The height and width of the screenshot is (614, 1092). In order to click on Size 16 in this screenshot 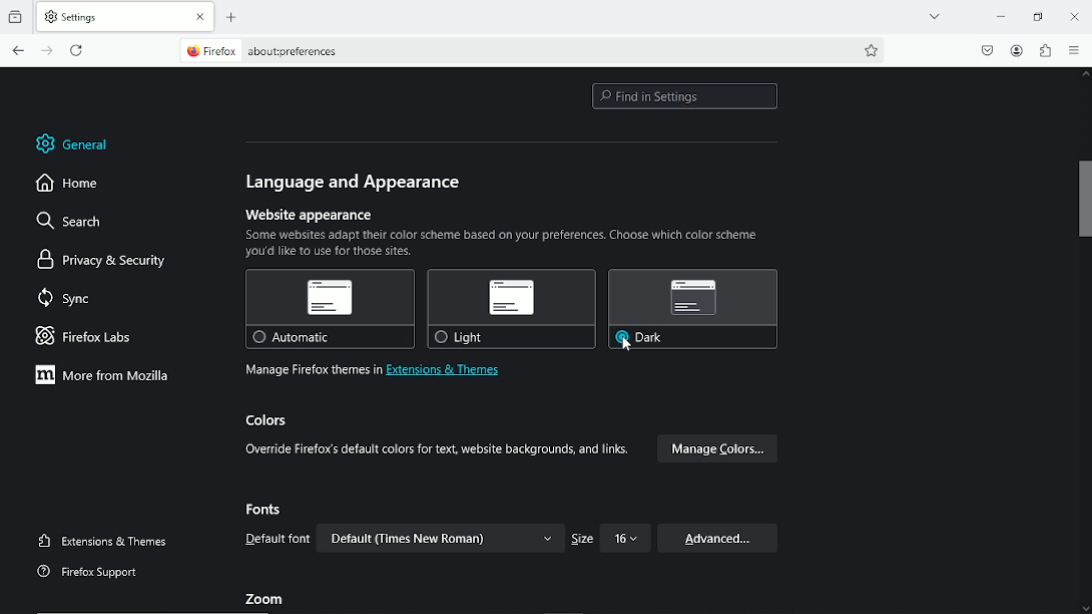, I will do `click(608, 538)`.